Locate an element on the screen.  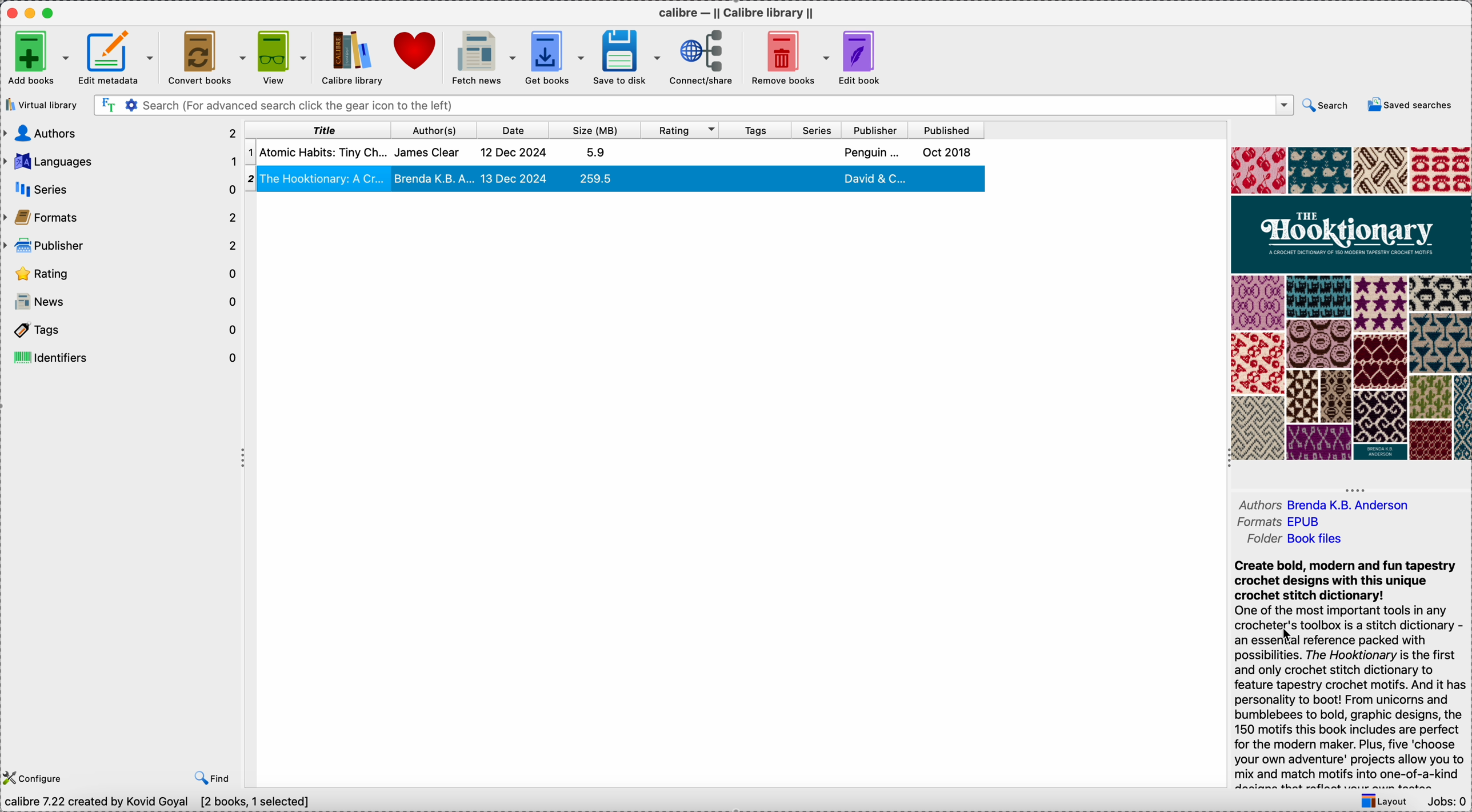
virtual library is located at coordinates (43, 105).